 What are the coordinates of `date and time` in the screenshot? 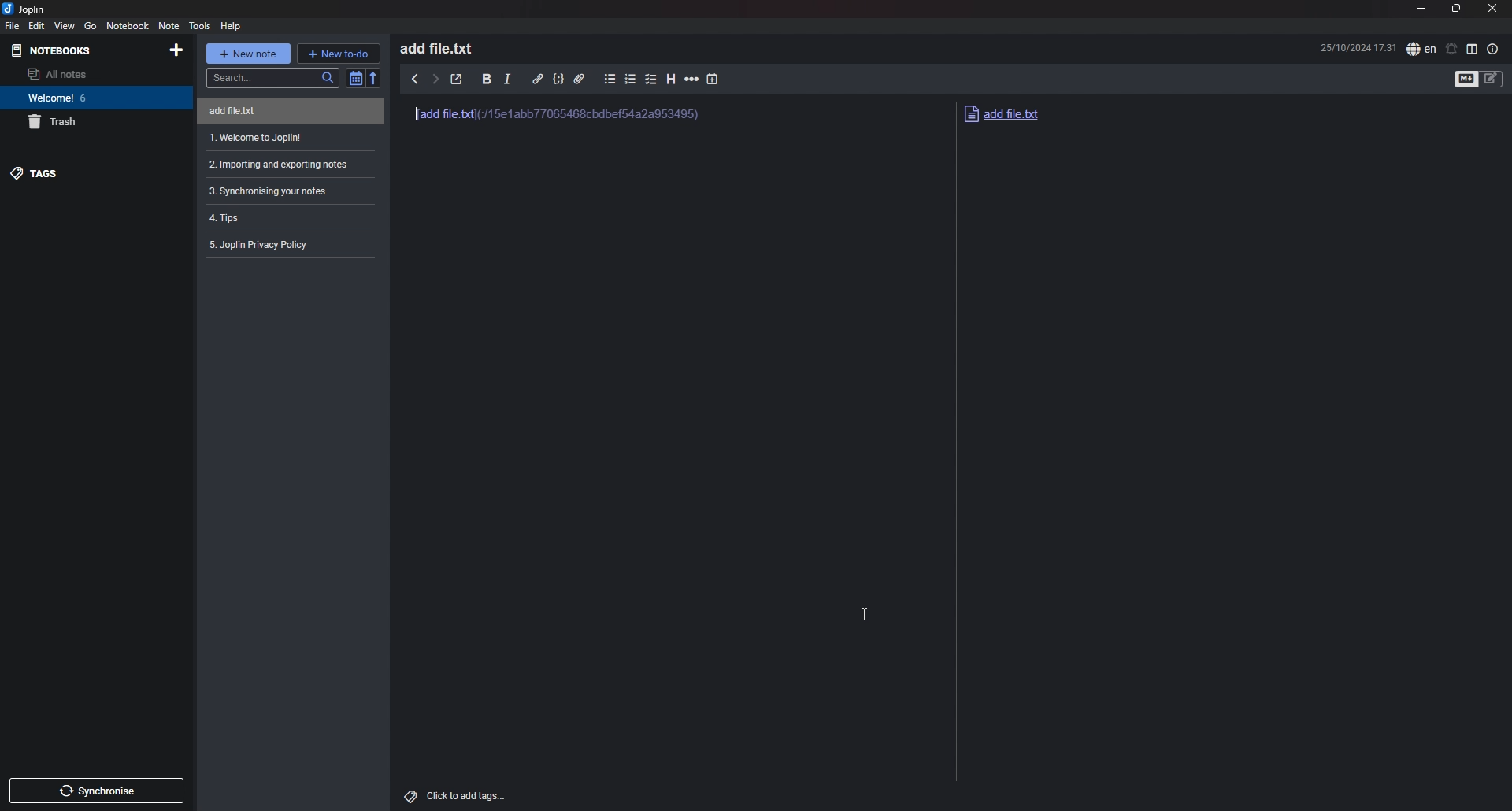 It's located at (1358, 47).